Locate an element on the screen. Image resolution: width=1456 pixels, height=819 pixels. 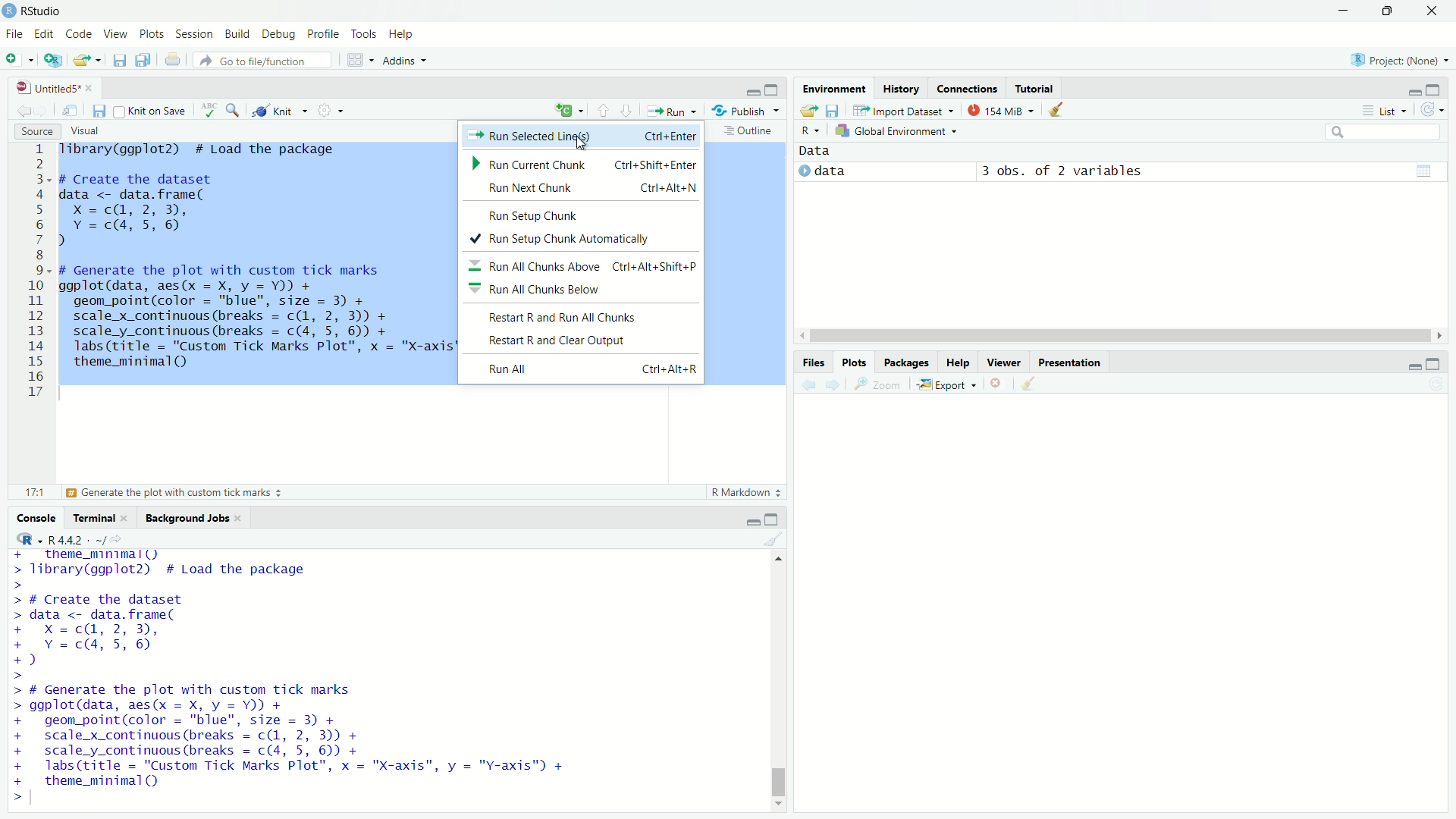
clear objects from the workspace is located at coordinates (1063, 111).